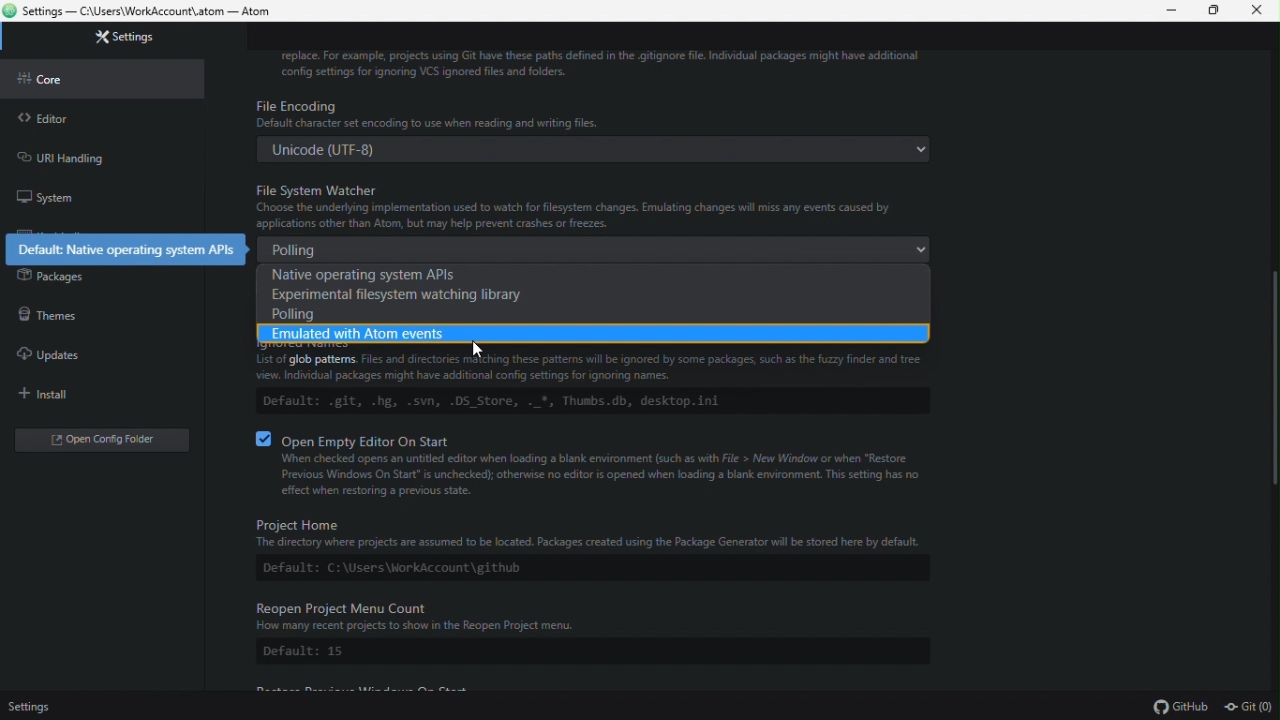 Image resolution: width=1280 pixels, height=720 pixels. What do you see at coordinates (351, 438) in the screenshot?
I see `® Oven Empty Editor On Start` at bounding box center [351, 438].